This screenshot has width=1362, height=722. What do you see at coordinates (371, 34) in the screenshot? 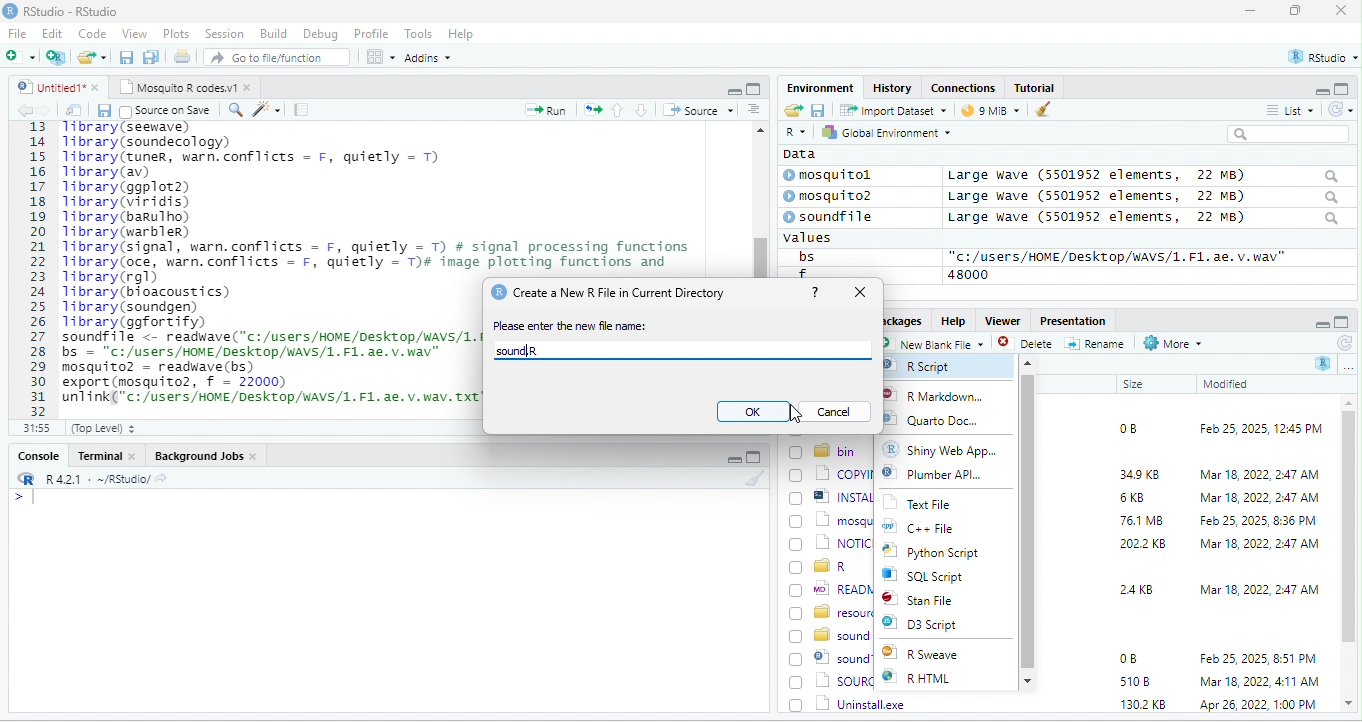
I see `Profile` at bounding box center [371, 34].